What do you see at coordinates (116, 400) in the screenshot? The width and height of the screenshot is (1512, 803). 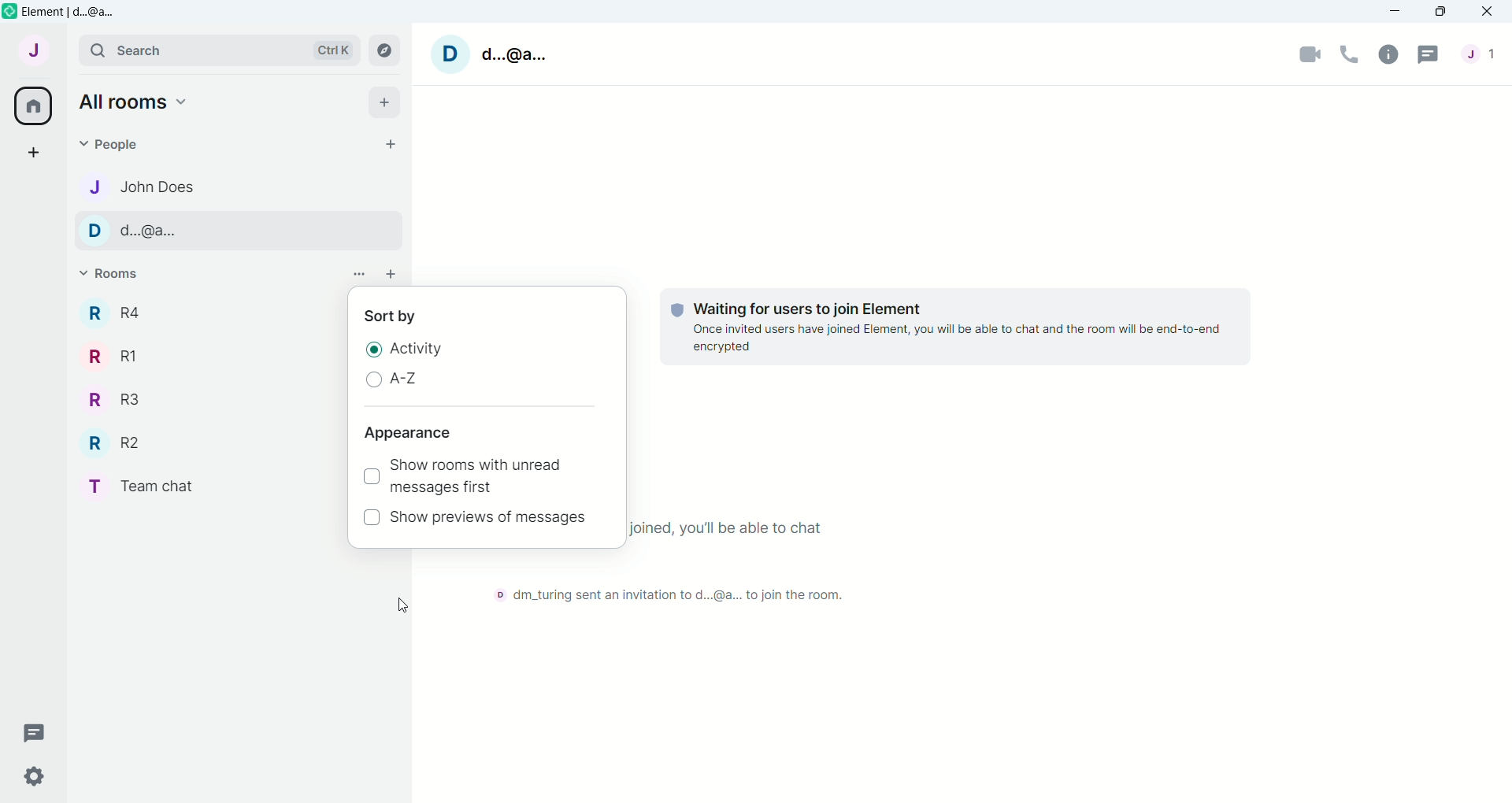 I see `Room R3` at bounding box center [116, 400].